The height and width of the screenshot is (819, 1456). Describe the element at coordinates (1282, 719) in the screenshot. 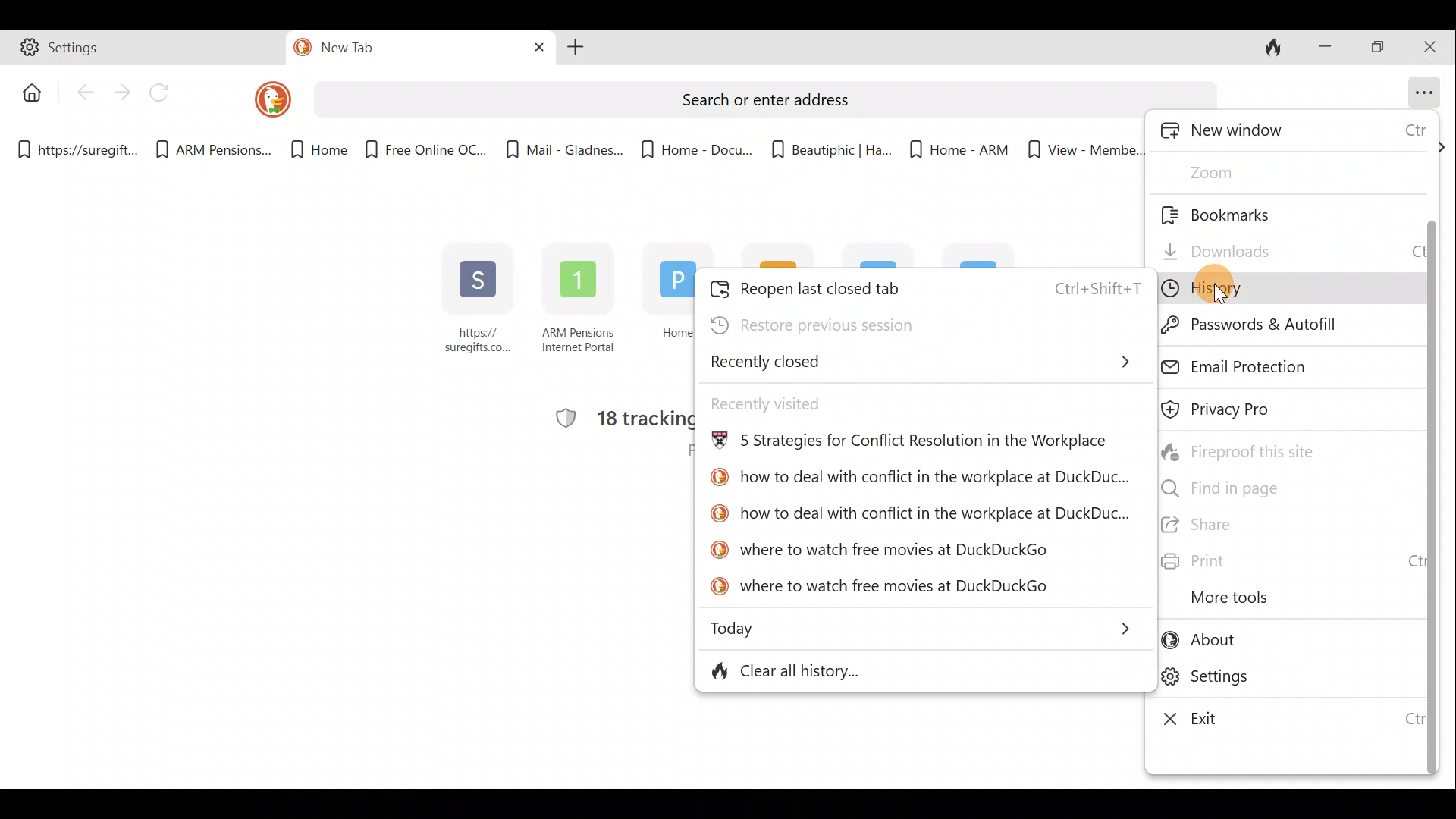

I see `Exit` at that location.